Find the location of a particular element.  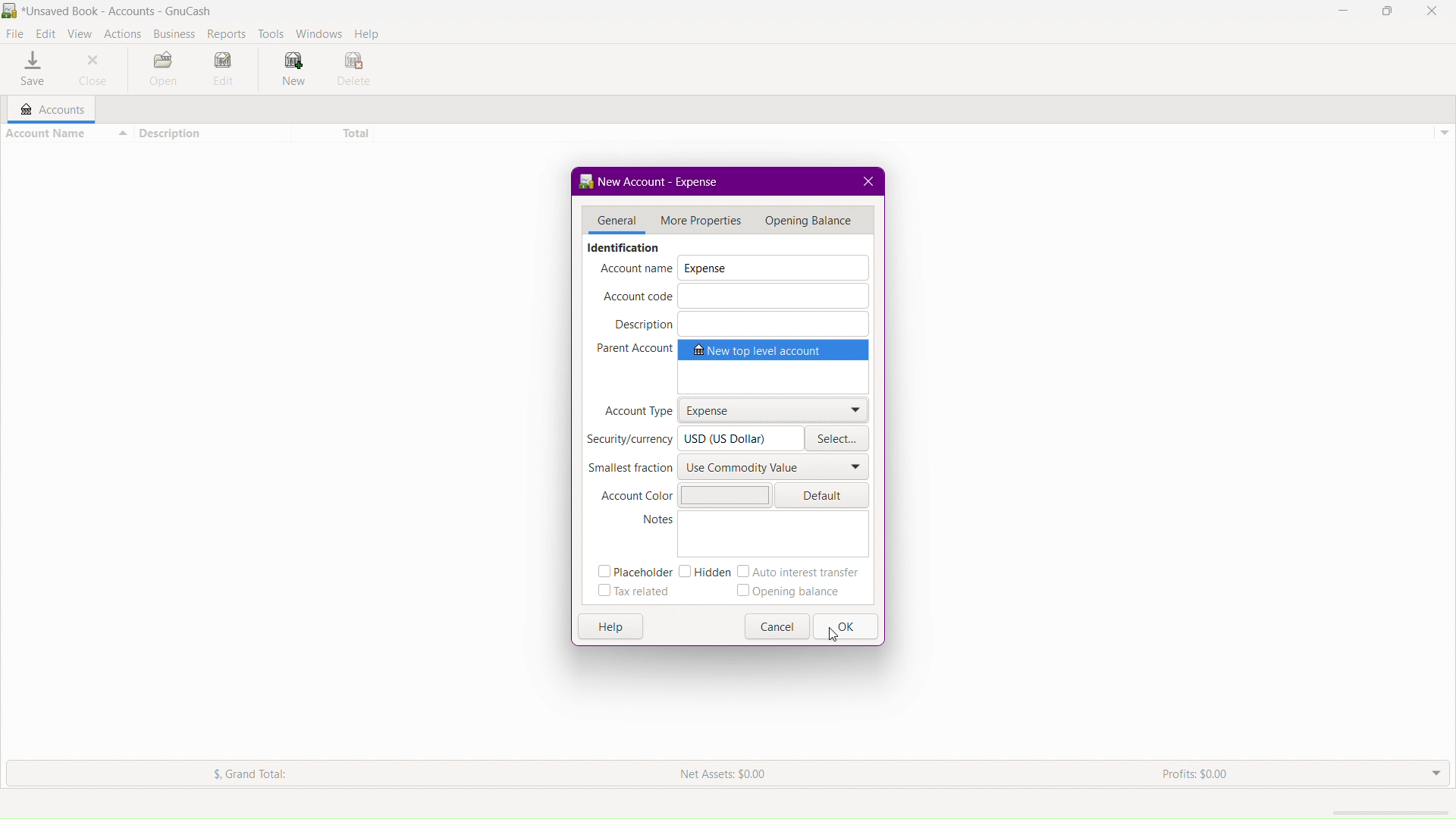

New is located at coordinates (290, 71).